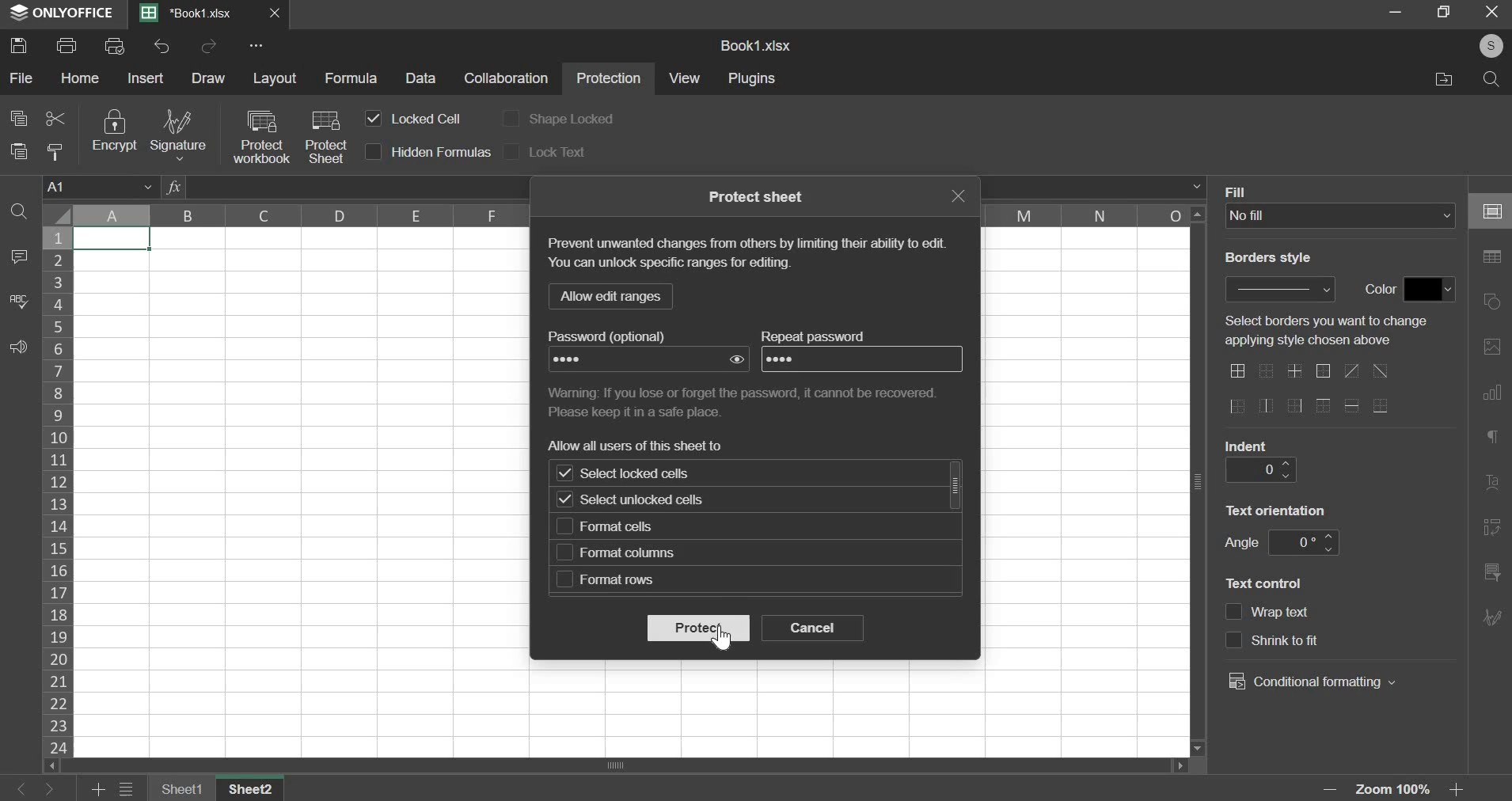  What do you see at coordinates (1282, 288) in the screenshot?
I see `border style` at bounding box center [1282, 288].